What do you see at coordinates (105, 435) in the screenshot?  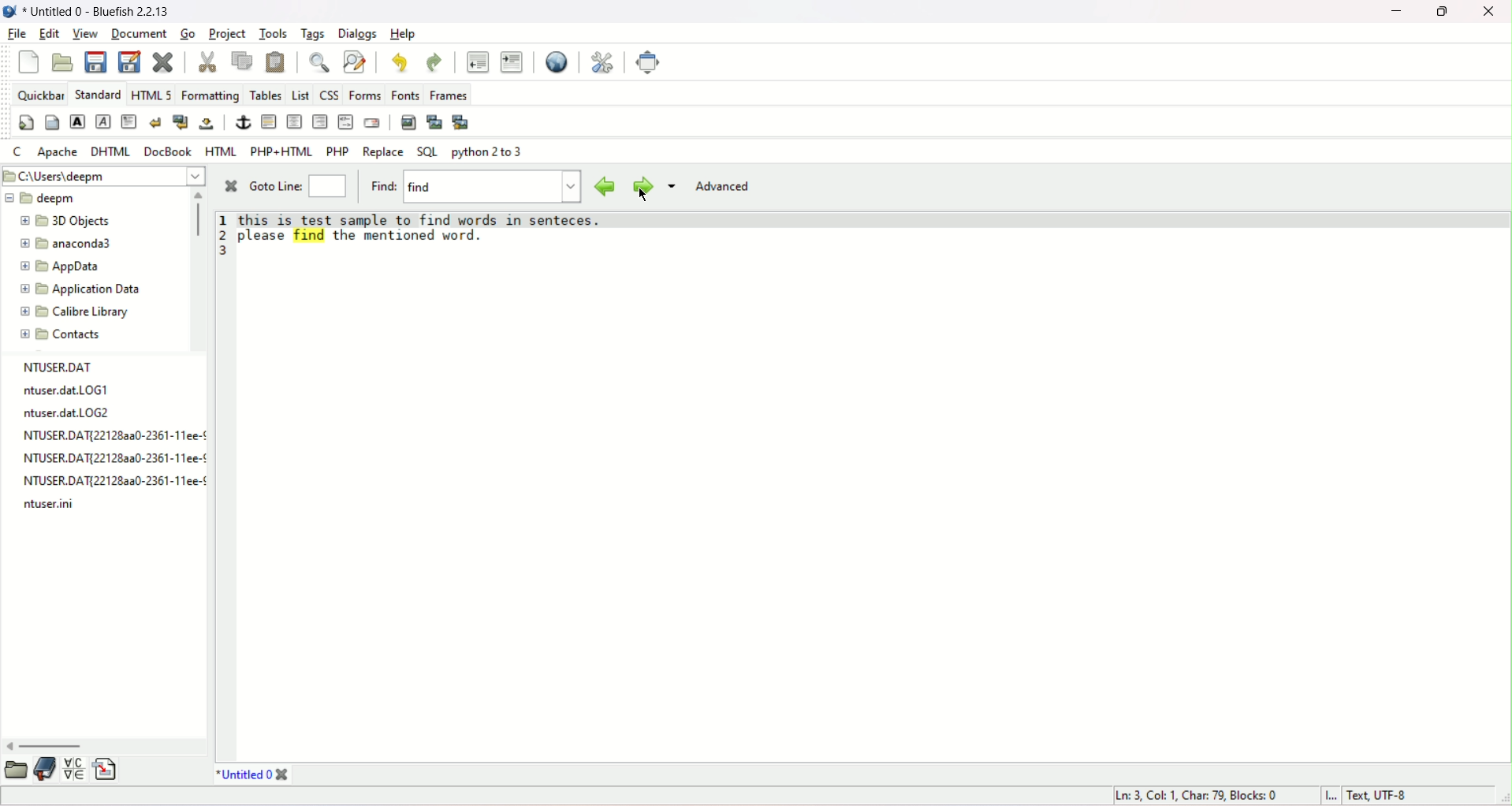 I see `NTUSER.DAT{22128220-2361-11ee-` at bounding box center [105, 435].